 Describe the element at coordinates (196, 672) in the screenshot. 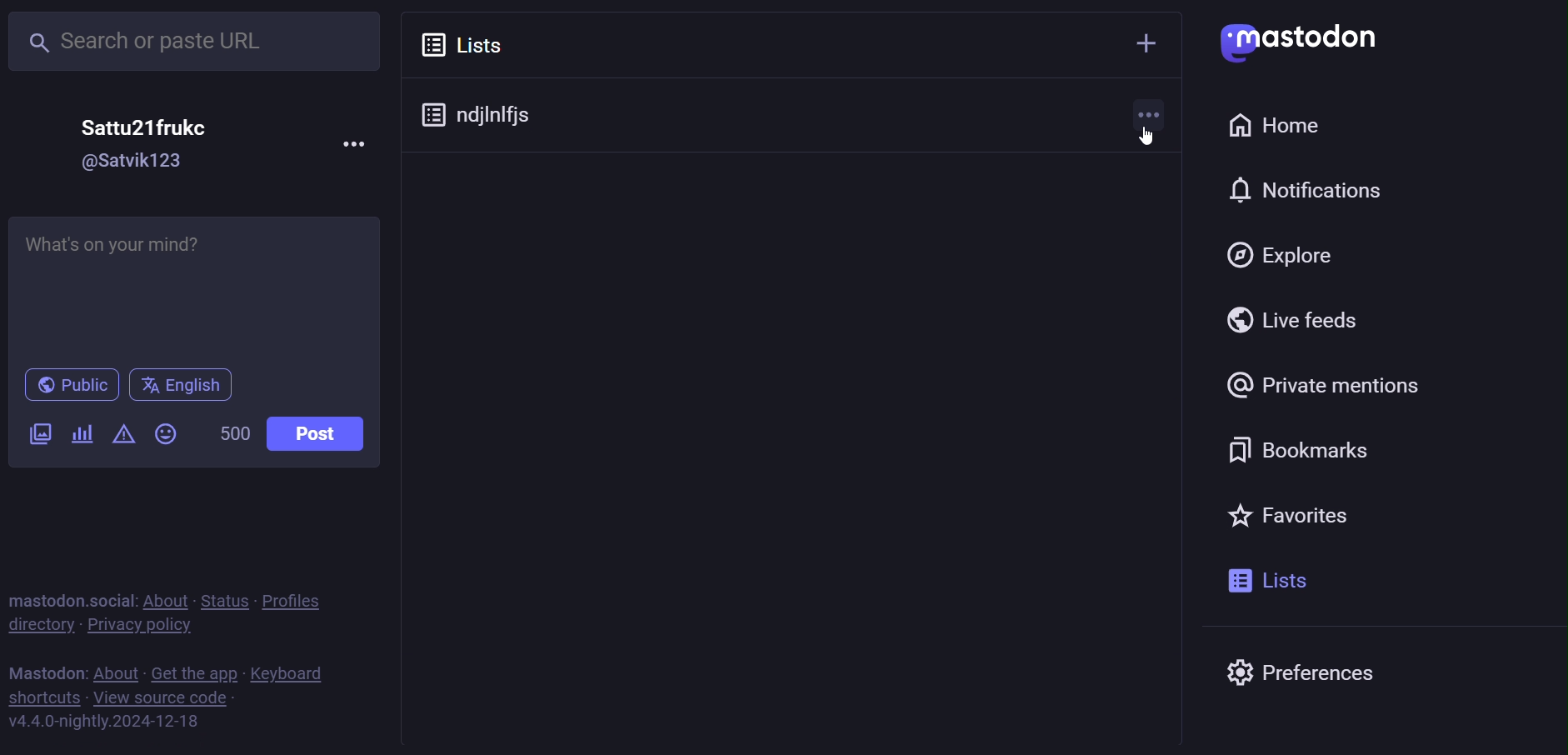

I see `get the app` at that location.